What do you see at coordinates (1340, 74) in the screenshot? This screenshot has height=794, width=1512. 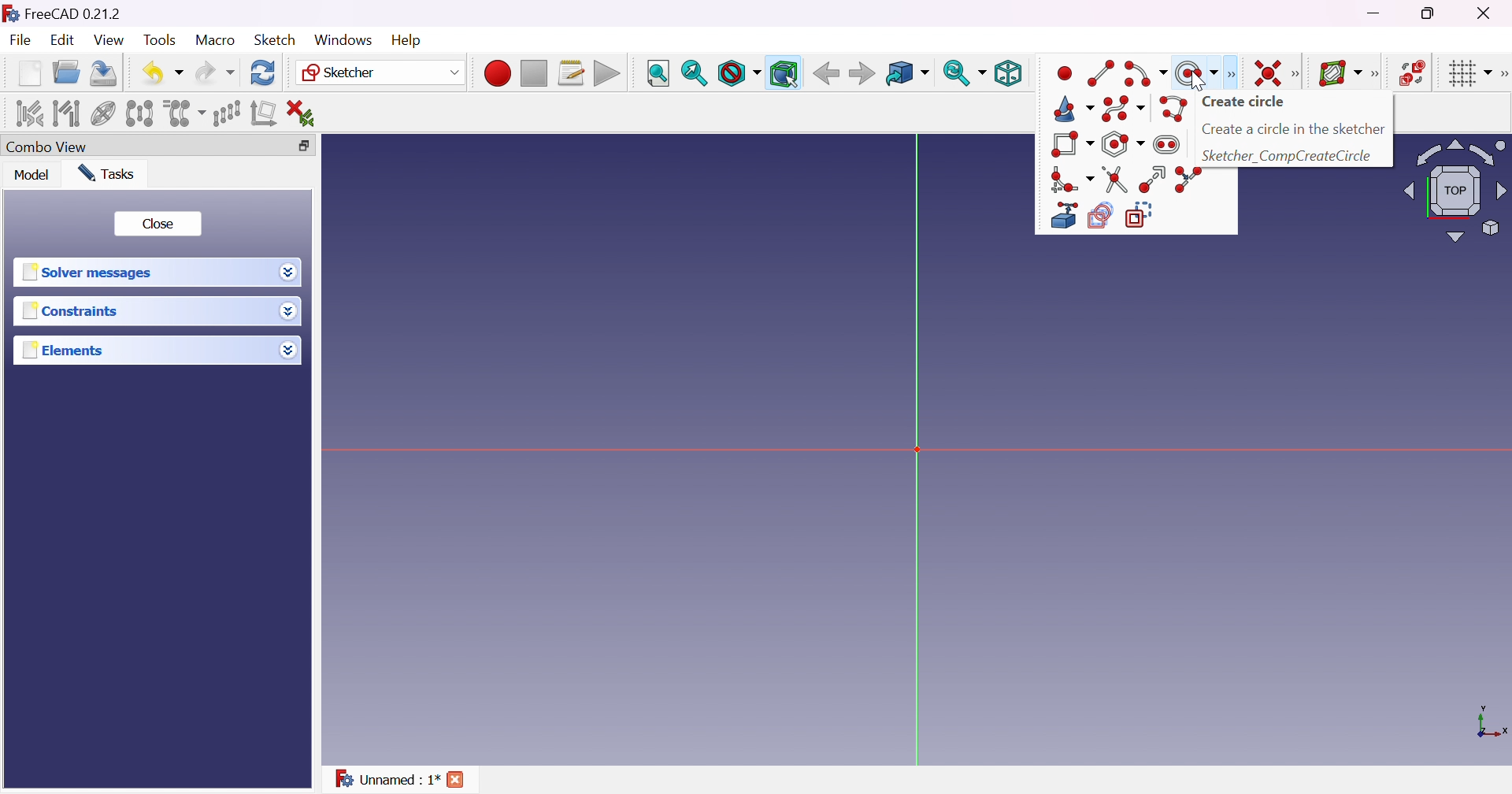 I see `Show/hide B-spline information layer` at bounding box center [1340, 74].